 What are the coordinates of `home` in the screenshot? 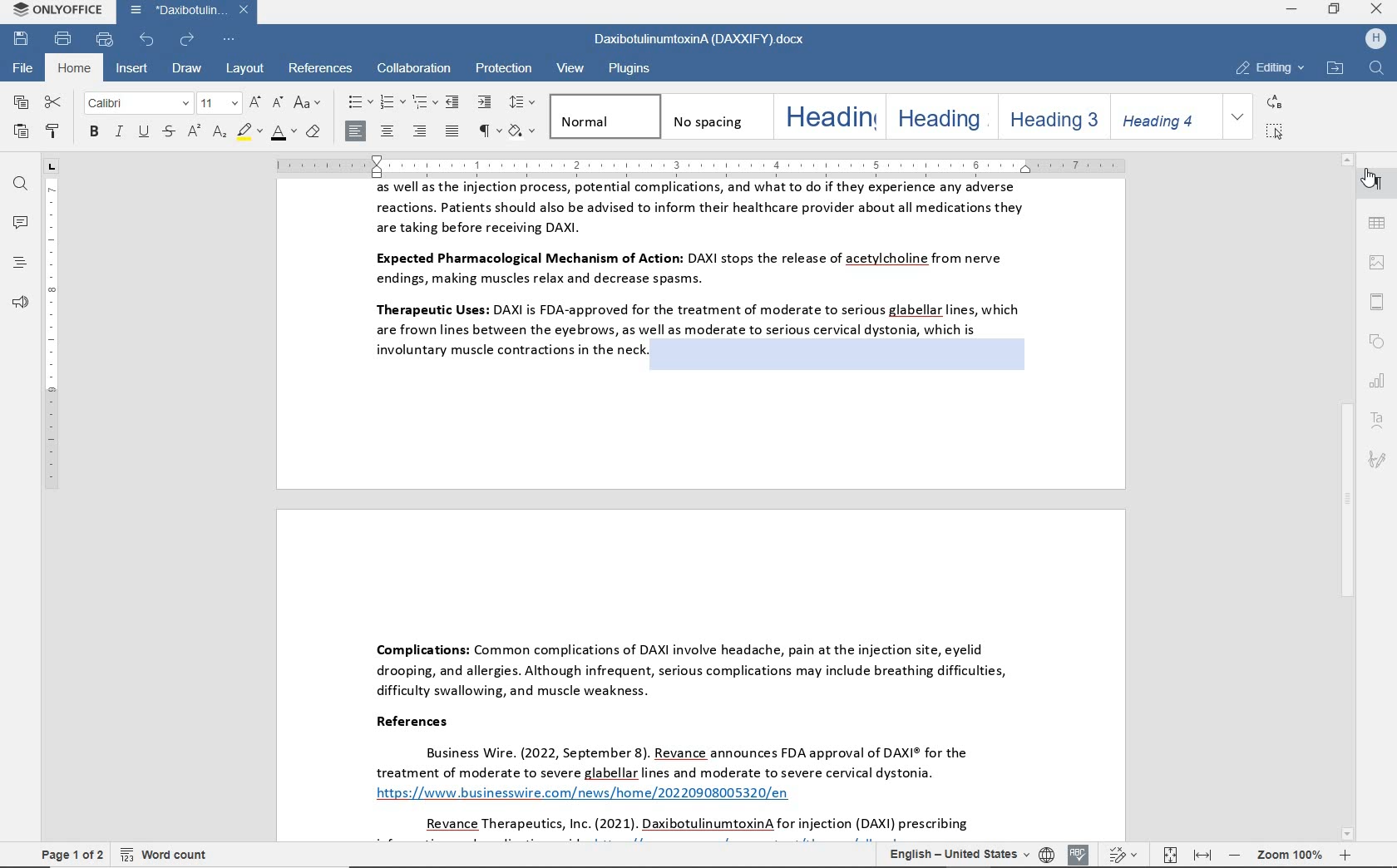 It's located at (76, 68).